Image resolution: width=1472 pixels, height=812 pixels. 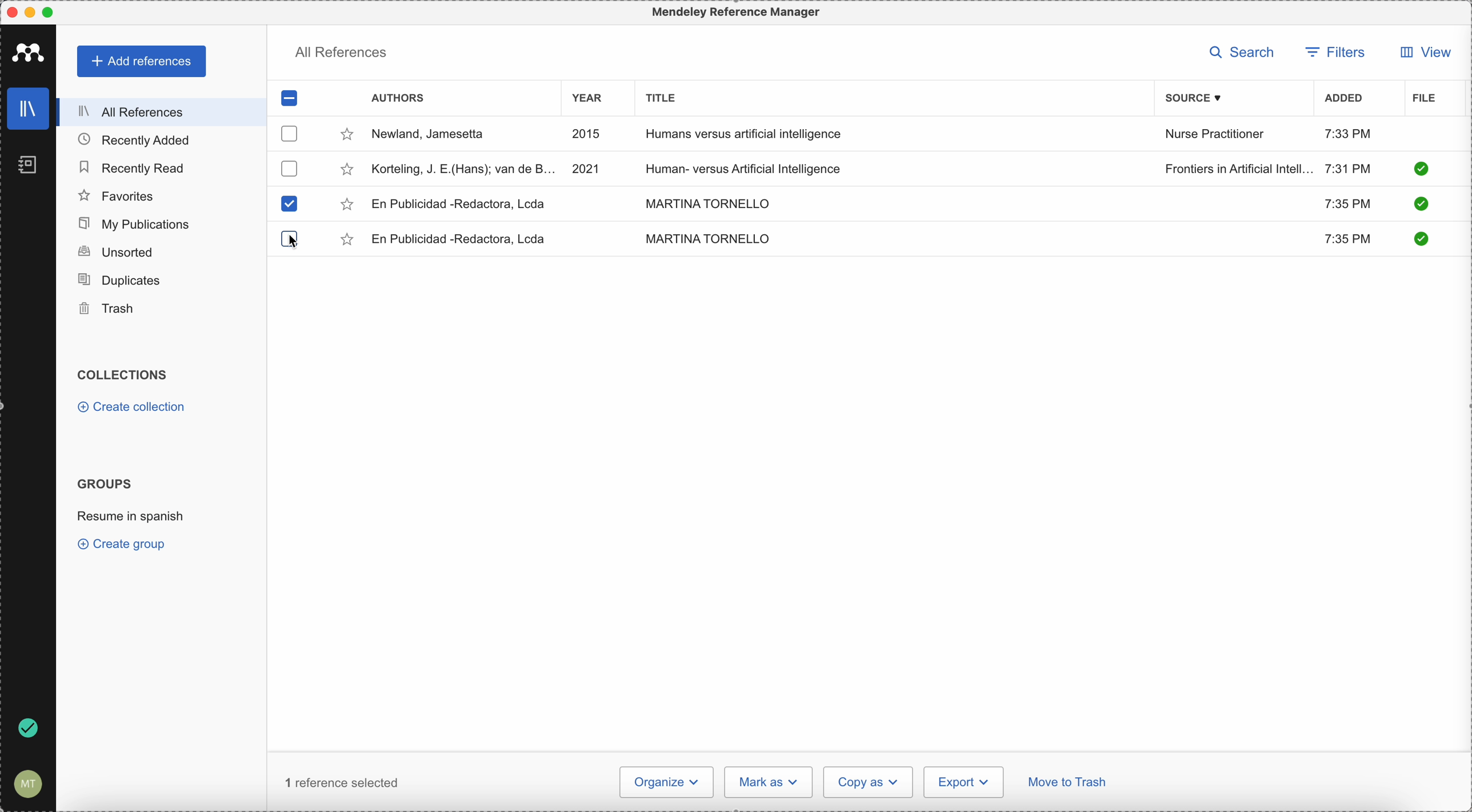 What do you see at coordinates (739, 13) in the screenshot?
I see `Mendeley Referencen Manager` at bounding box center [739, 13].